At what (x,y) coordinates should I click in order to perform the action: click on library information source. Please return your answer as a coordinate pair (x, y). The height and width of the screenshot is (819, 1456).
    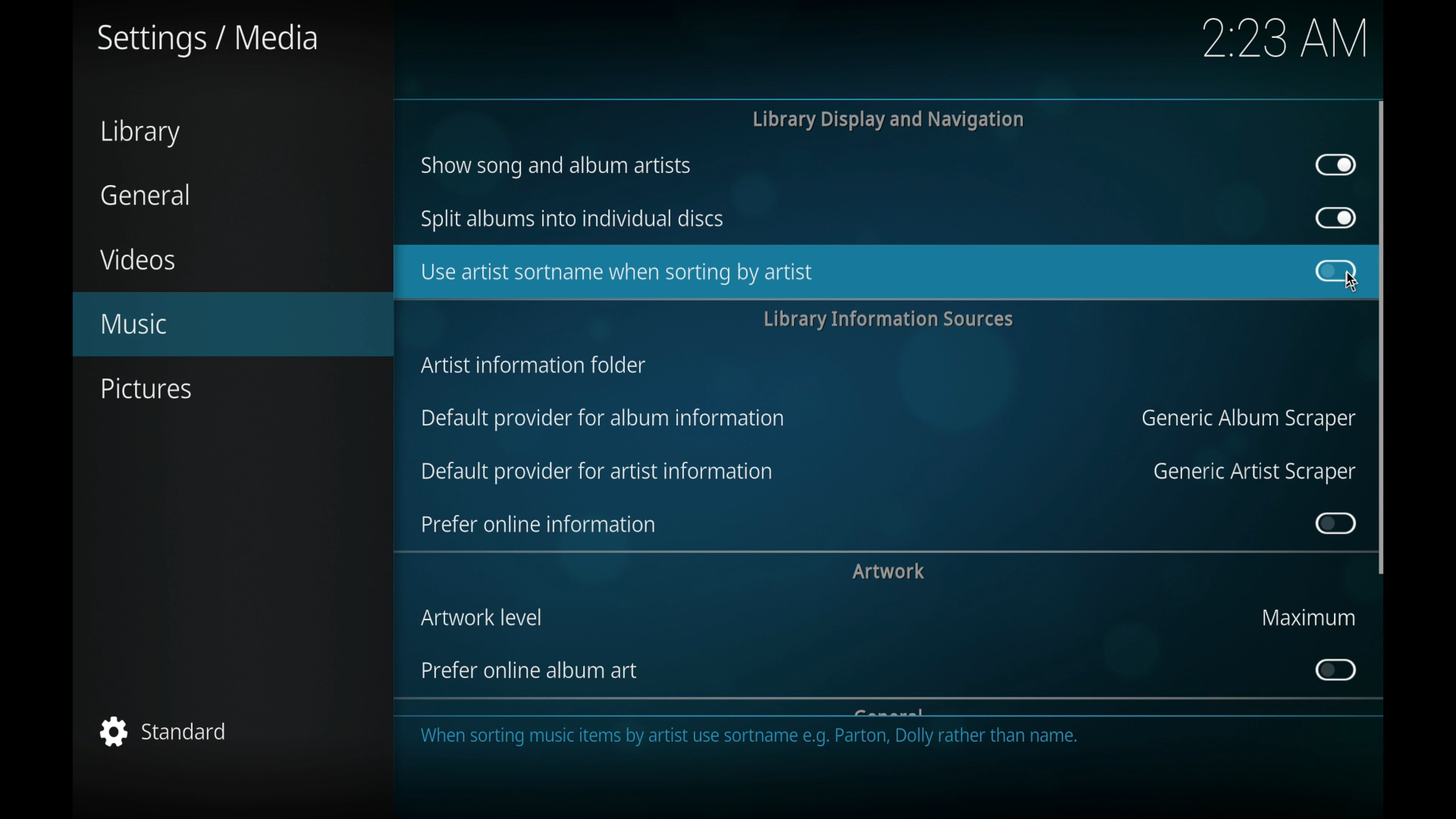
    Looking at the image, I should click on (888, 319).